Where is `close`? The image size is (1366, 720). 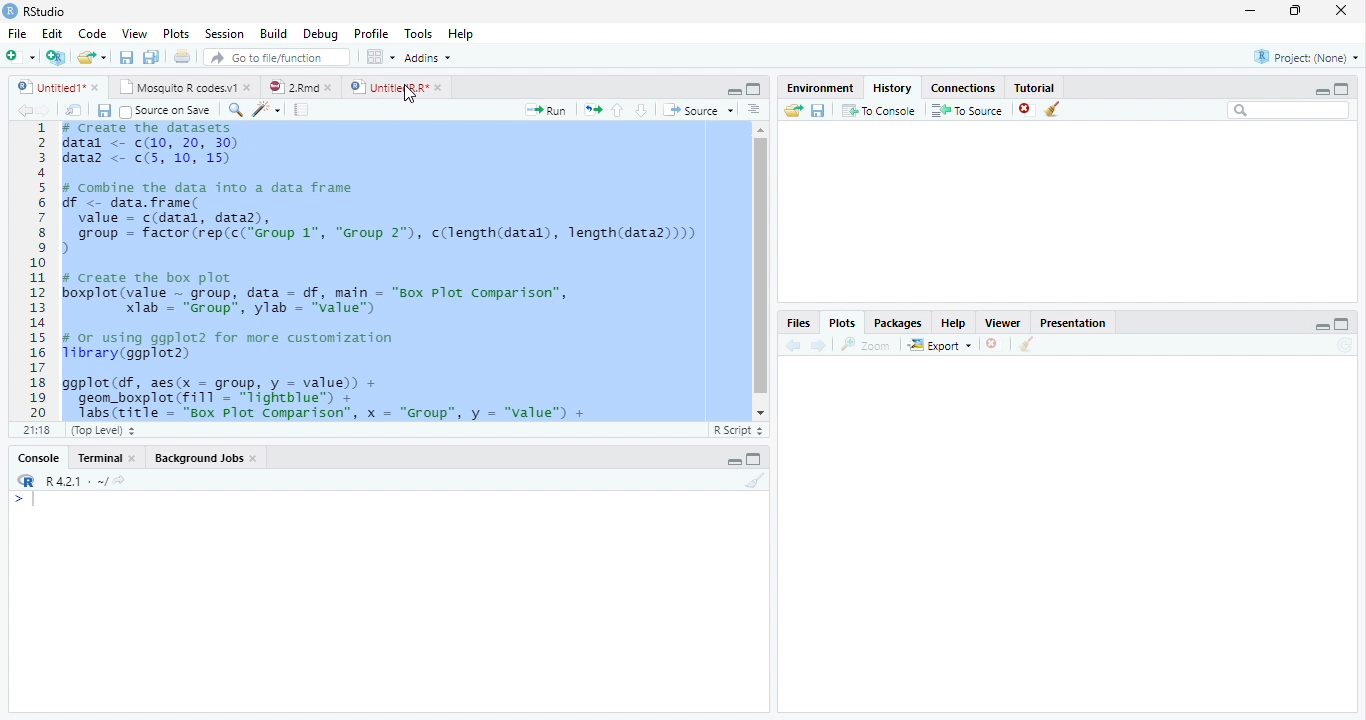 close is located at coordinates (328, 87).